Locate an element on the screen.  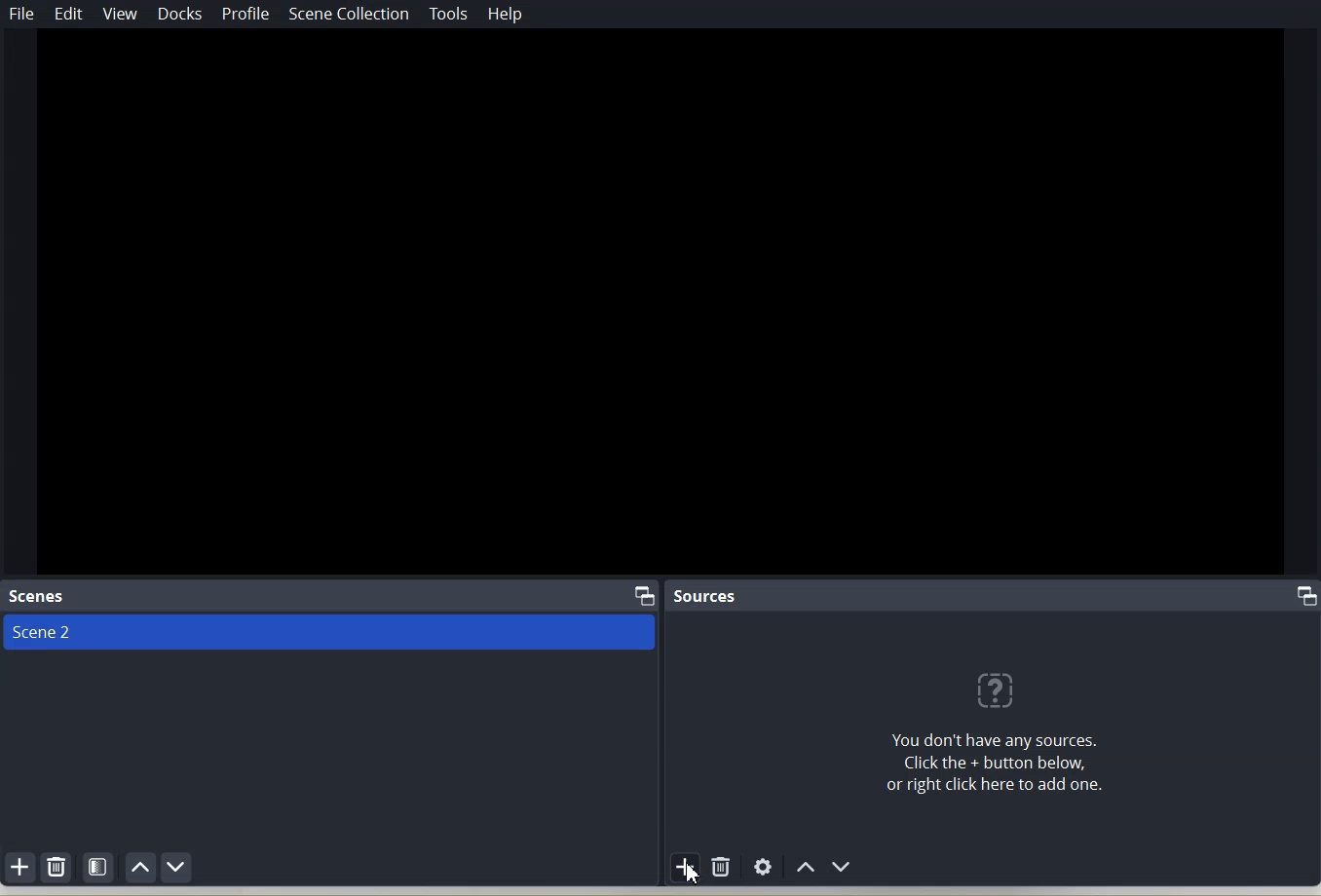
Open Source Properties is located at coordinates (763, 868).